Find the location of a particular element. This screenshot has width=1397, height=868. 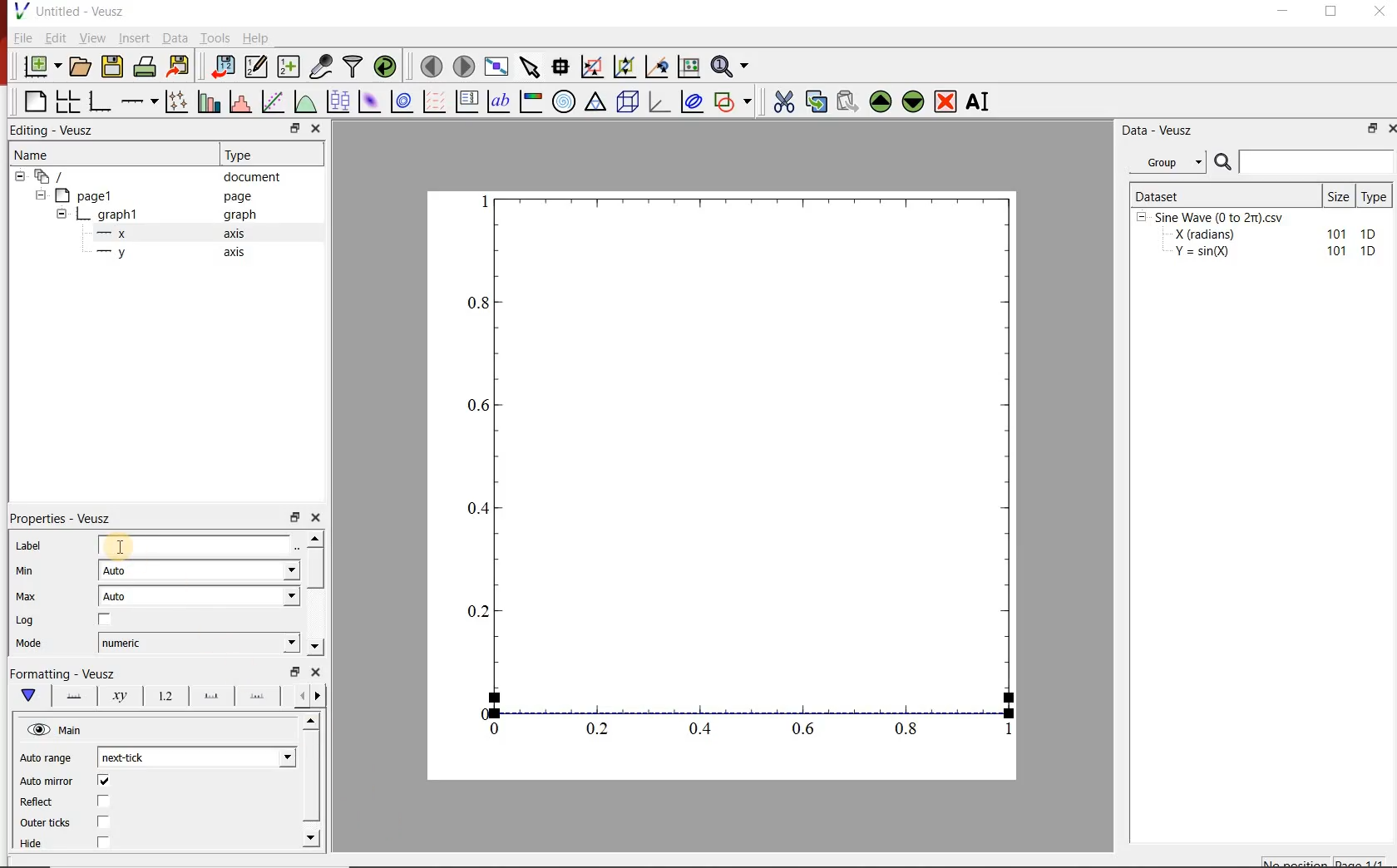

paste is located at coordinates (847, 101).